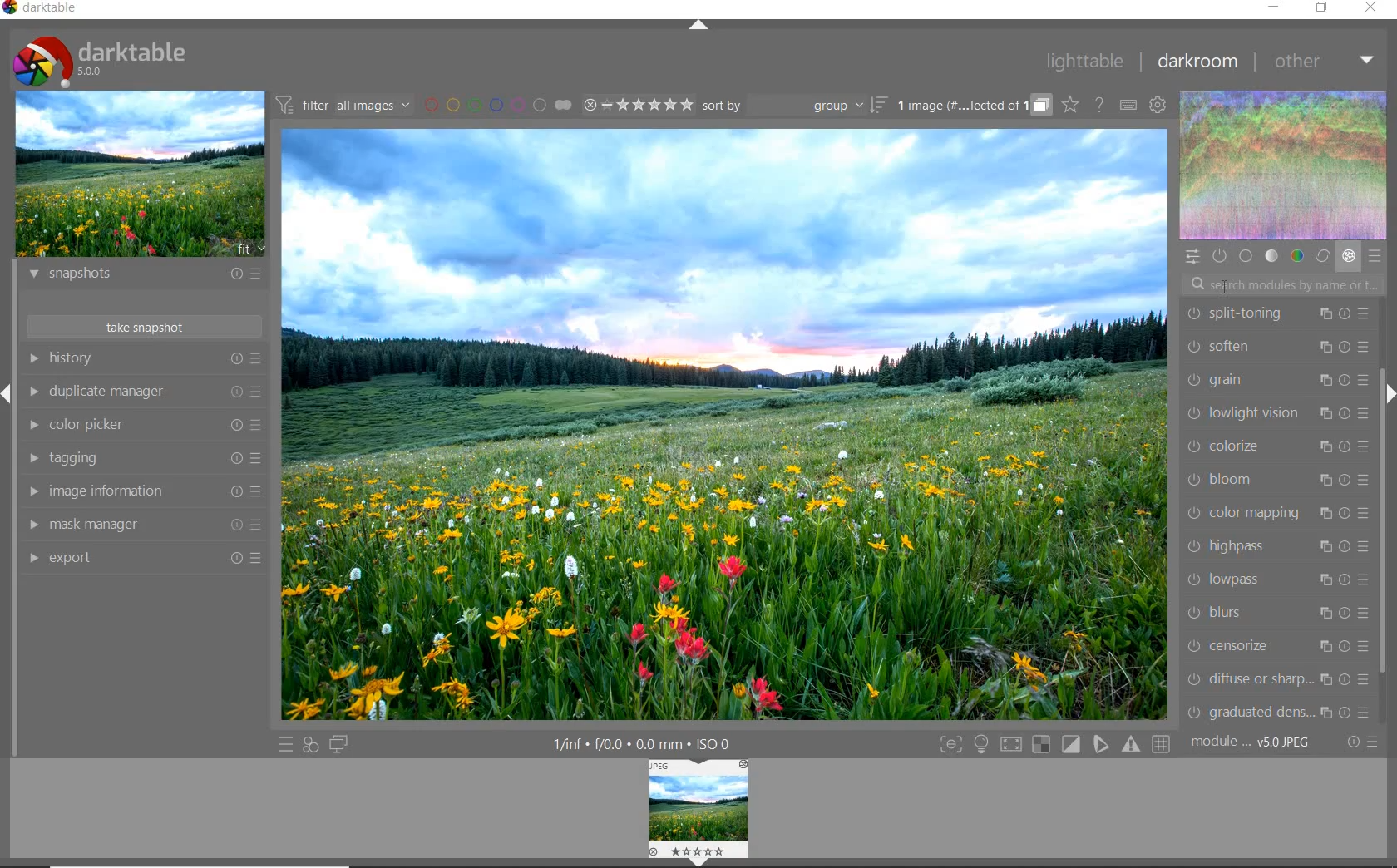  Describe the element at coordinates (701, 26) in the screenshot. I see `expand/collapse` at that location.